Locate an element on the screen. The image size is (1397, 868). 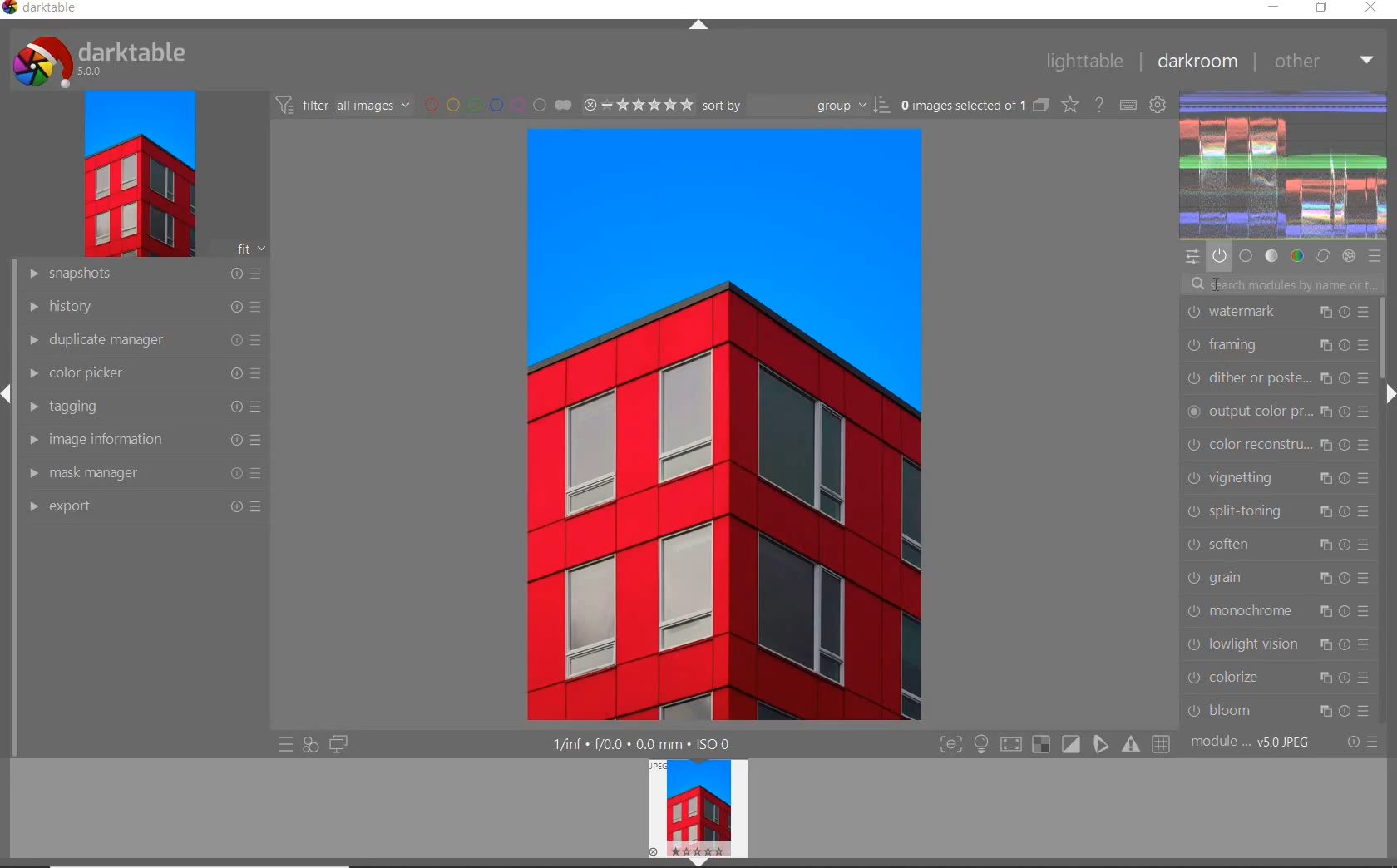
scrollbar is located at coordinates (1381, 336).